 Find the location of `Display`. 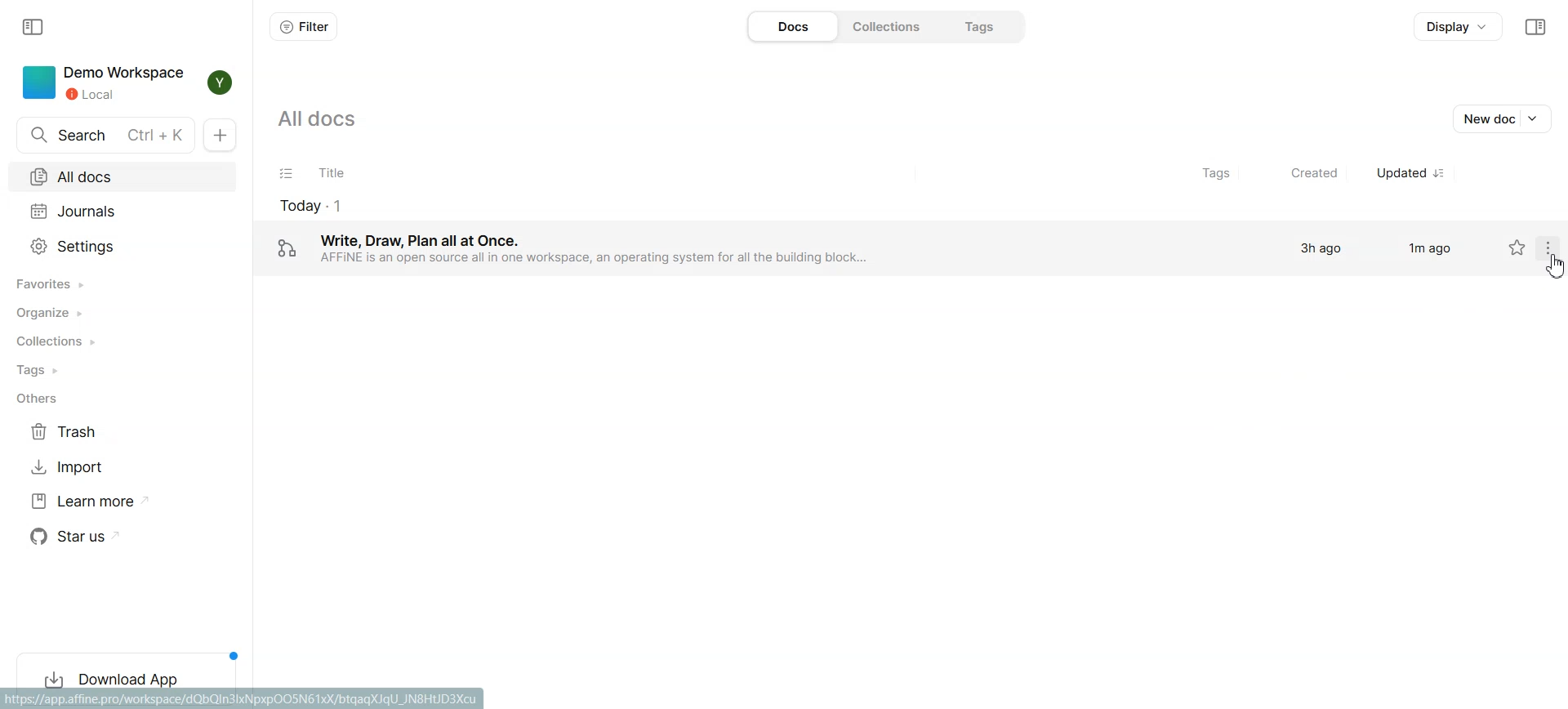

Display is located at coordinates (1459, 26).